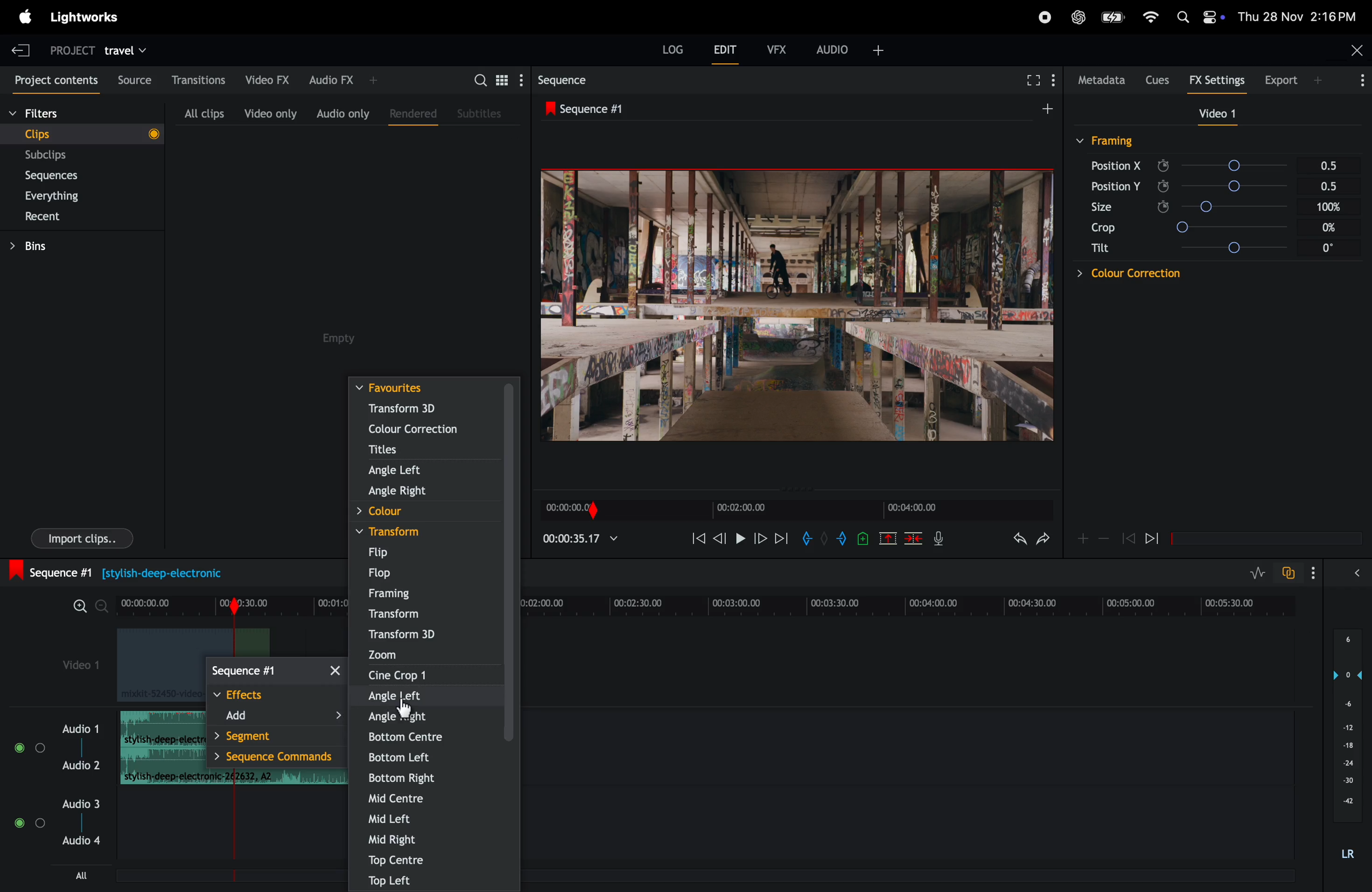  I want to click on transitons, so click(198, 76).